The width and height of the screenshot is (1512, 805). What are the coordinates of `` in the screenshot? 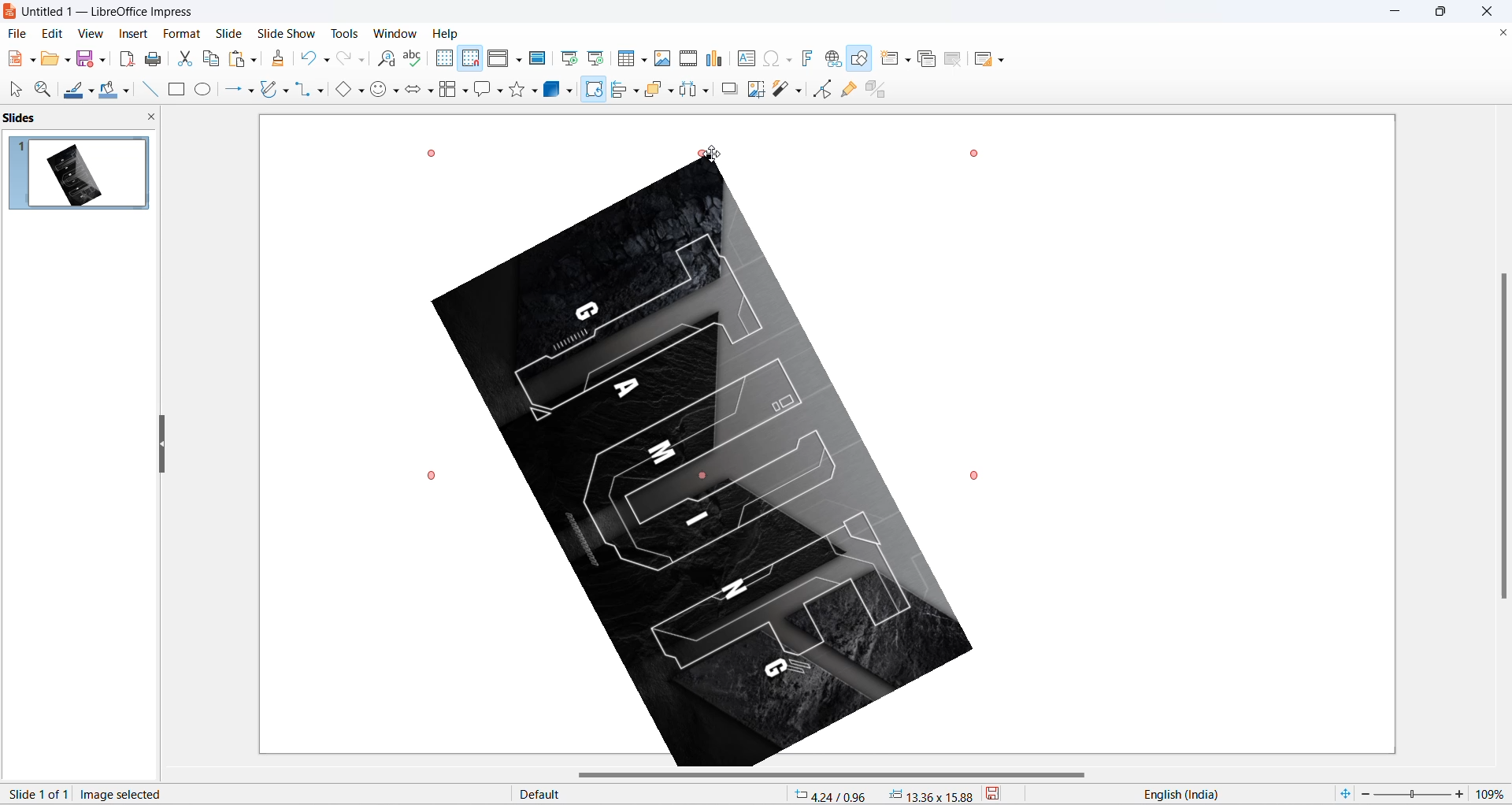 It's located at (20, 34).